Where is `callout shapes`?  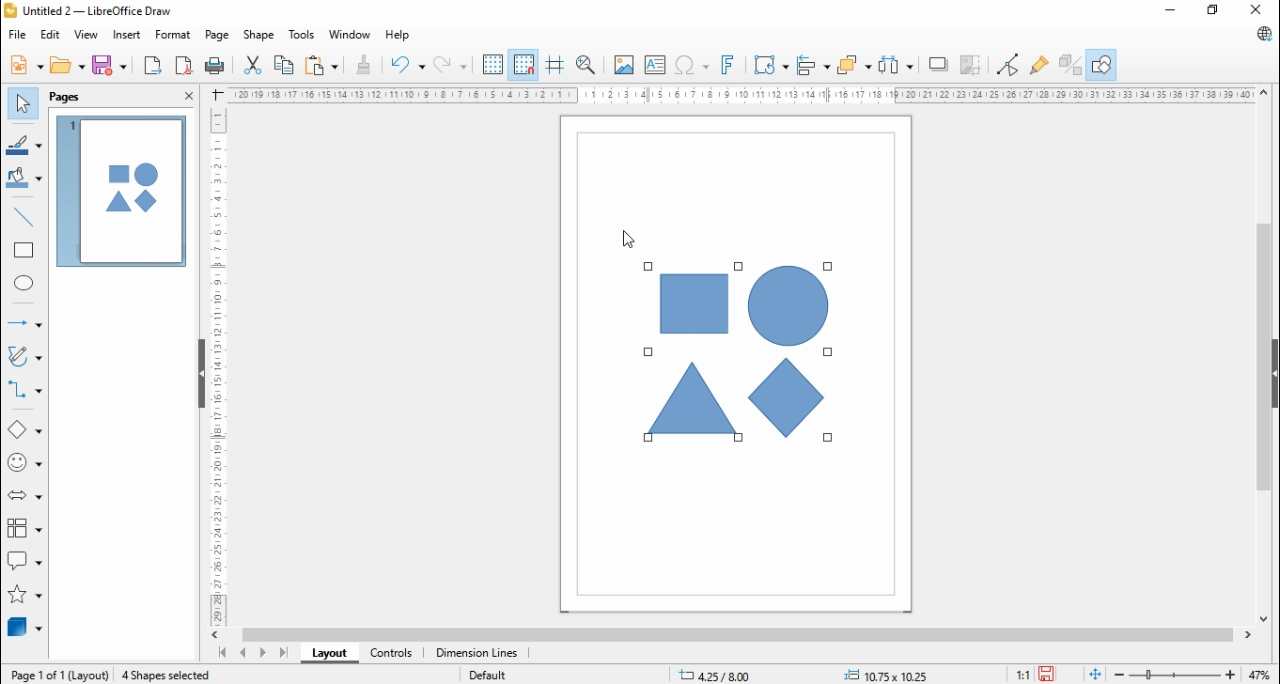 callout shapes is located at coordinates (25, 560).